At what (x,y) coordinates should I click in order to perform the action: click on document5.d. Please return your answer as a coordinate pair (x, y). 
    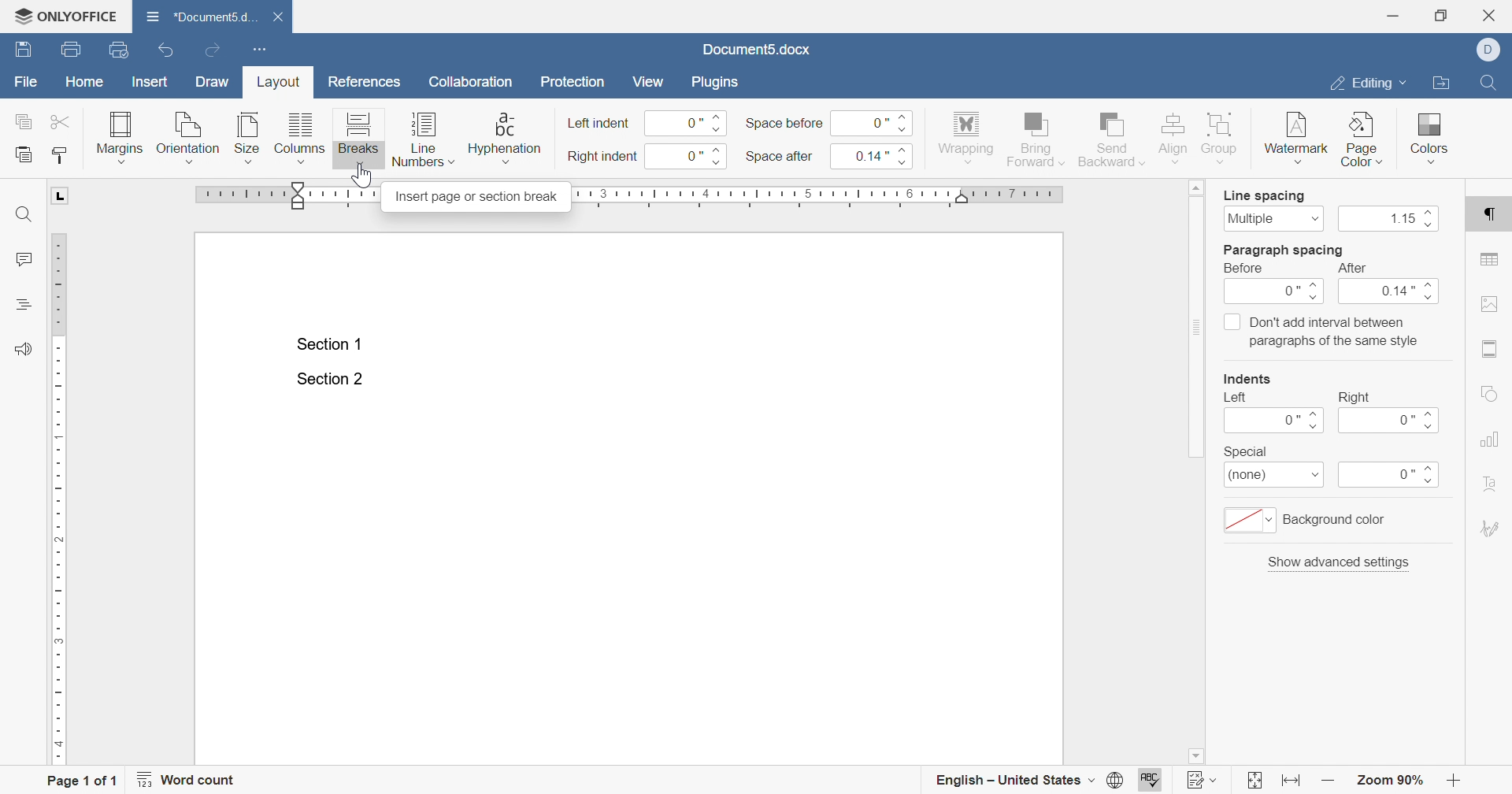
    Looking at the image, I should click on (203, 16).